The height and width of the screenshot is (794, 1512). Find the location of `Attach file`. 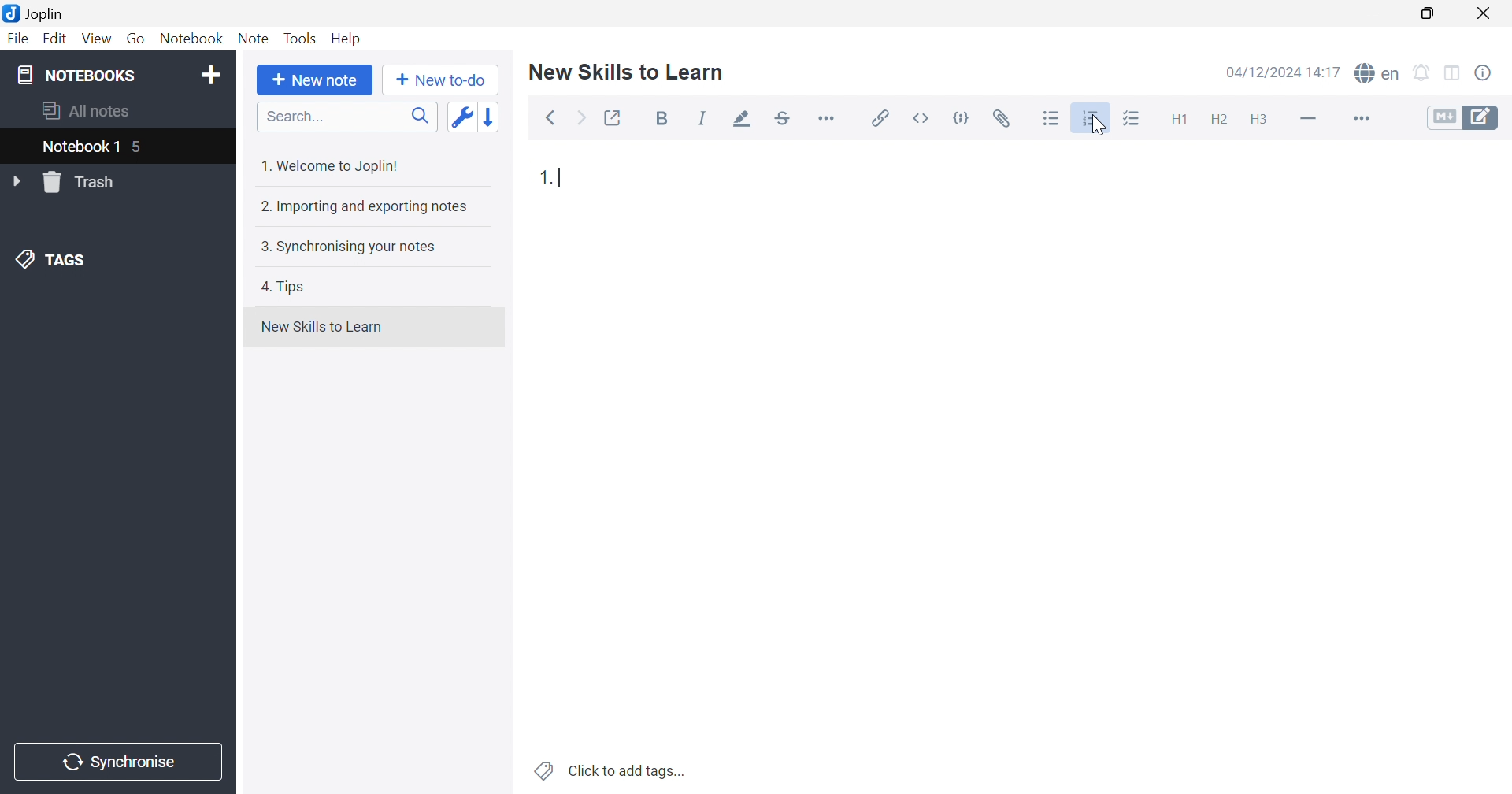

Attach file is located at coordinates (1002, 119).